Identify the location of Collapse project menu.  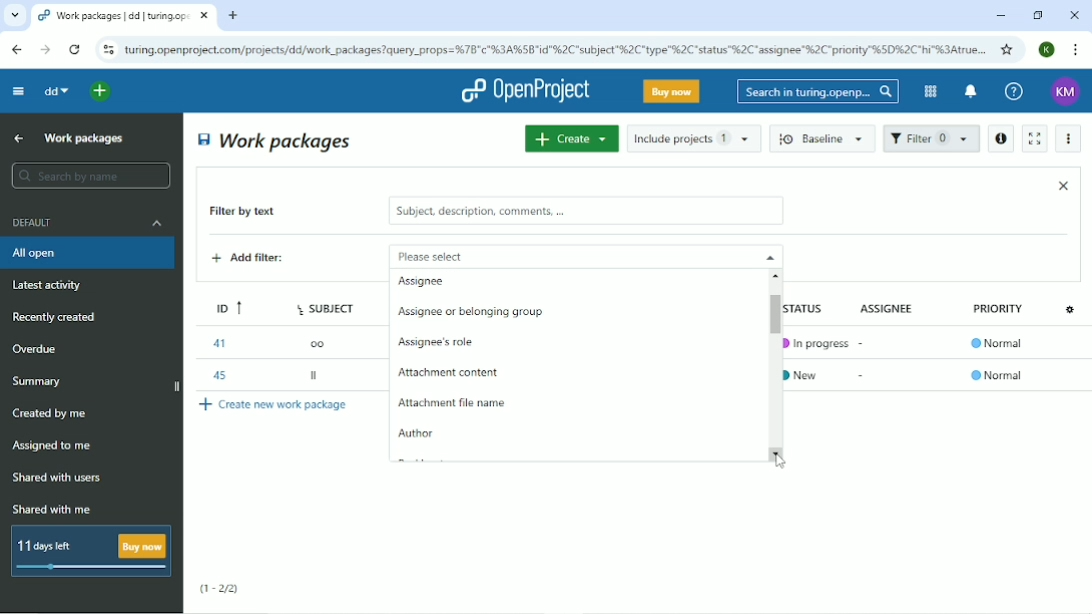
(17, 90).